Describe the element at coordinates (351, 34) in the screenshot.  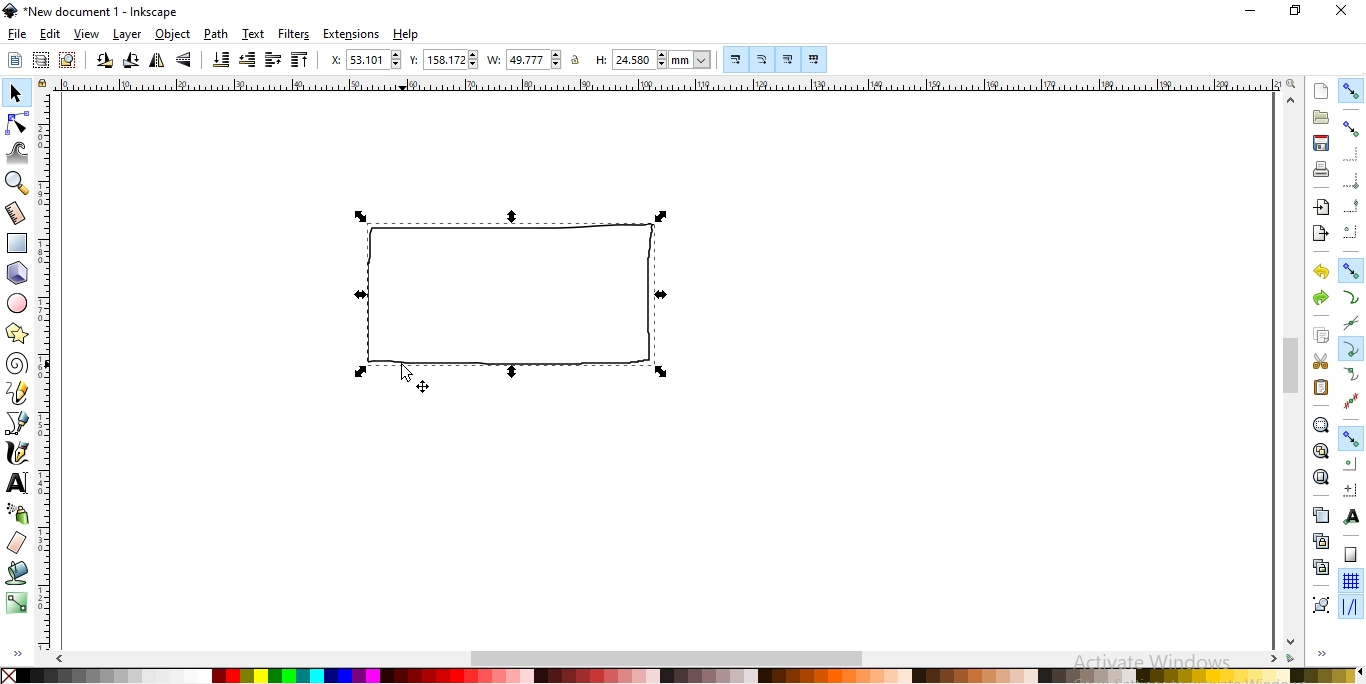
I see `extensions` at that location.